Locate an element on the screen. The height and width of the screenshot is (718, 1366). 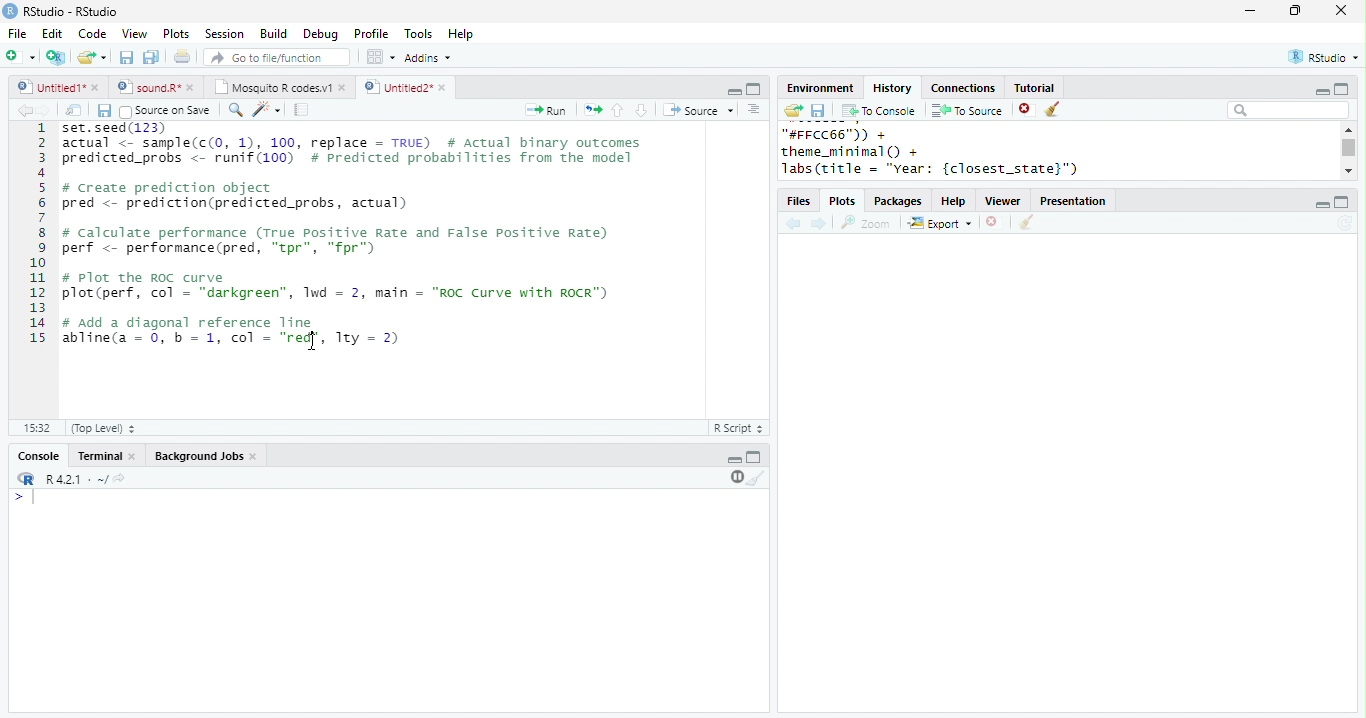
Addins is located at coordinates (428, 58).